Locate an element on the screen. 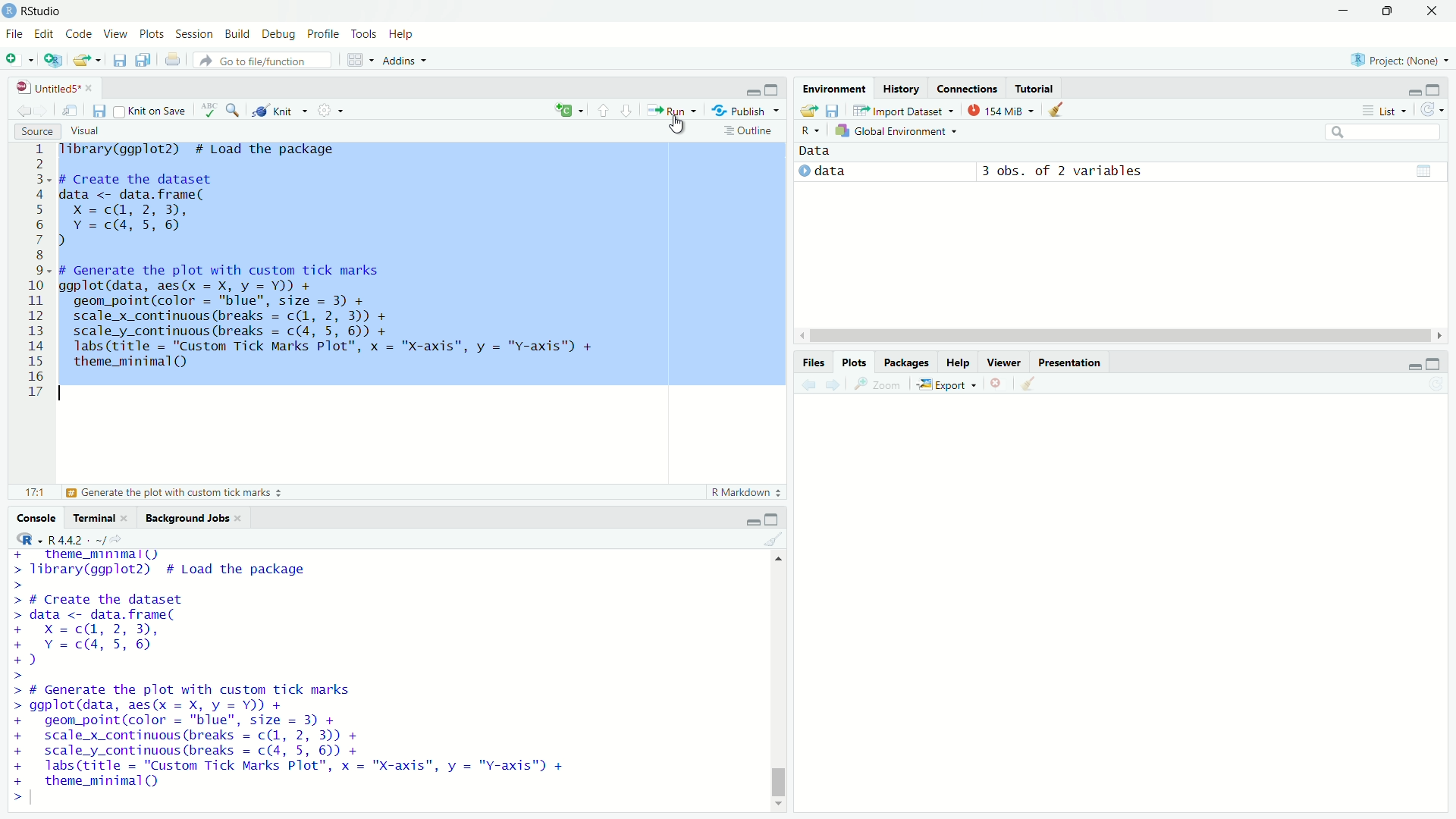 Image resolution: width=1456 pixels, height=819 pixels. run the current line or selection is located at coordinates (676, 111).